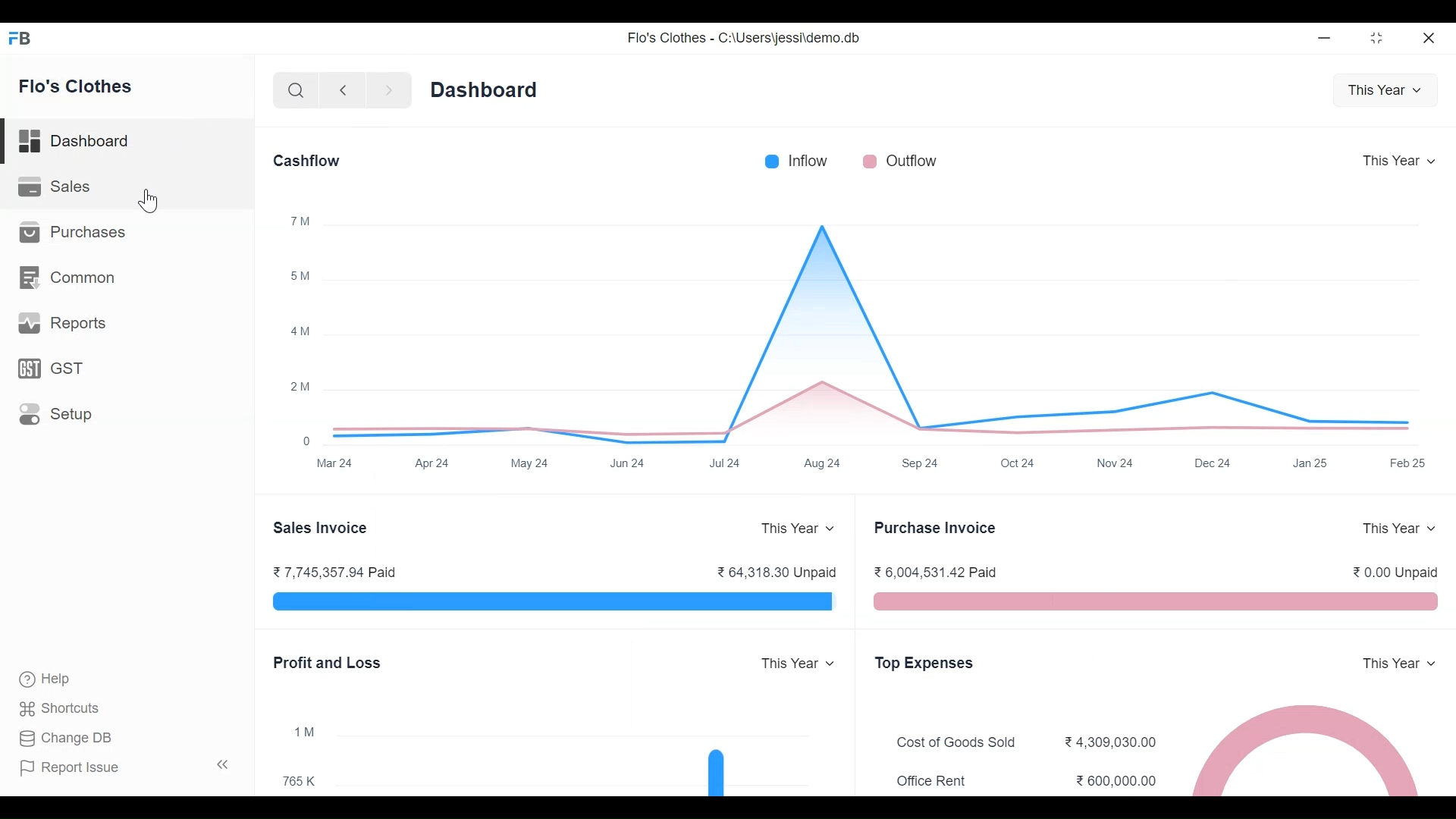 This screenshot has height=819, width=1456. Describe the element at coordinates (1019, 462) in the screenshot. I see `Oct 24` at that location.